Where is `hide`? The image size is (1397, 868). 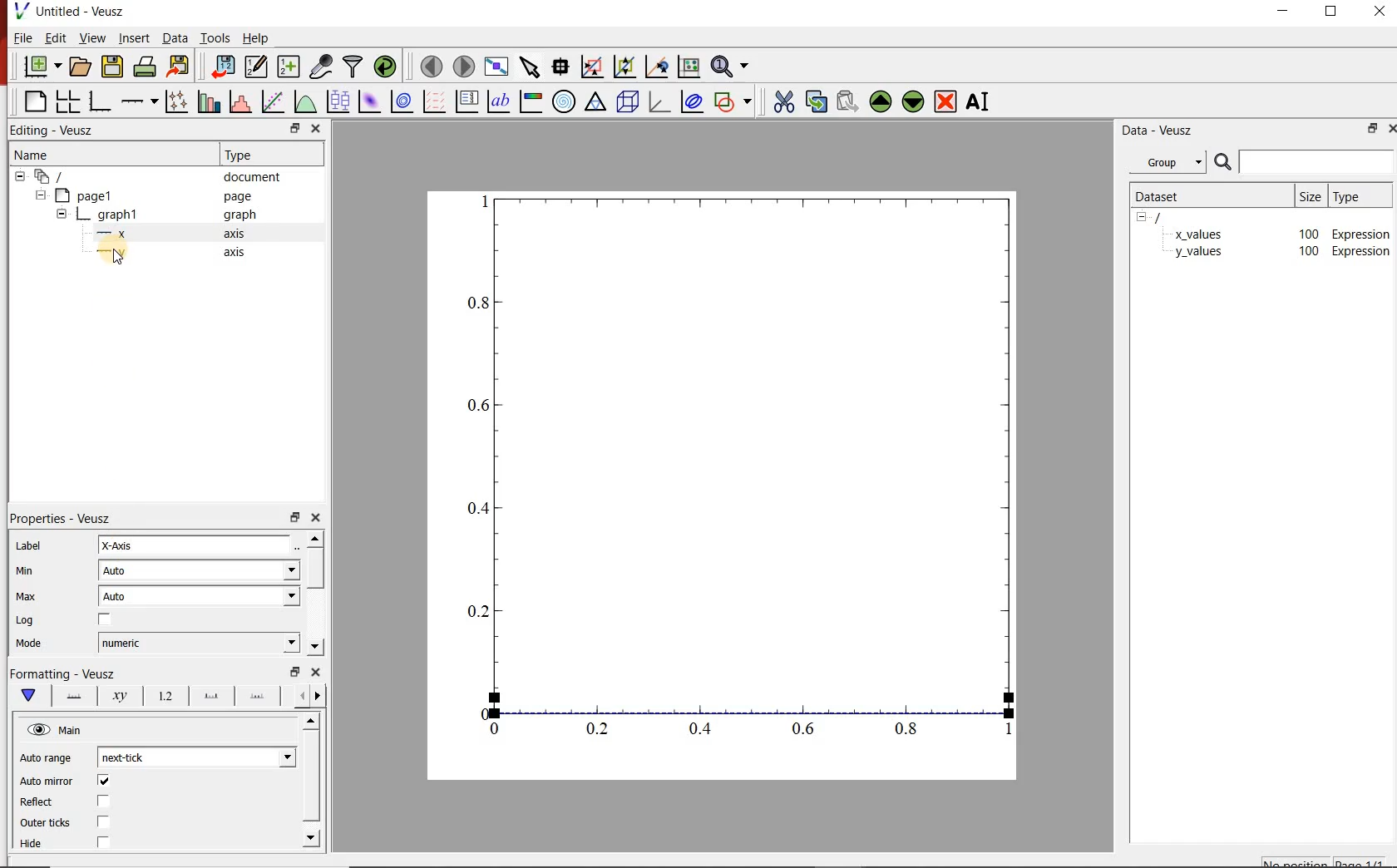
hide is located at coordinates (62, 213).